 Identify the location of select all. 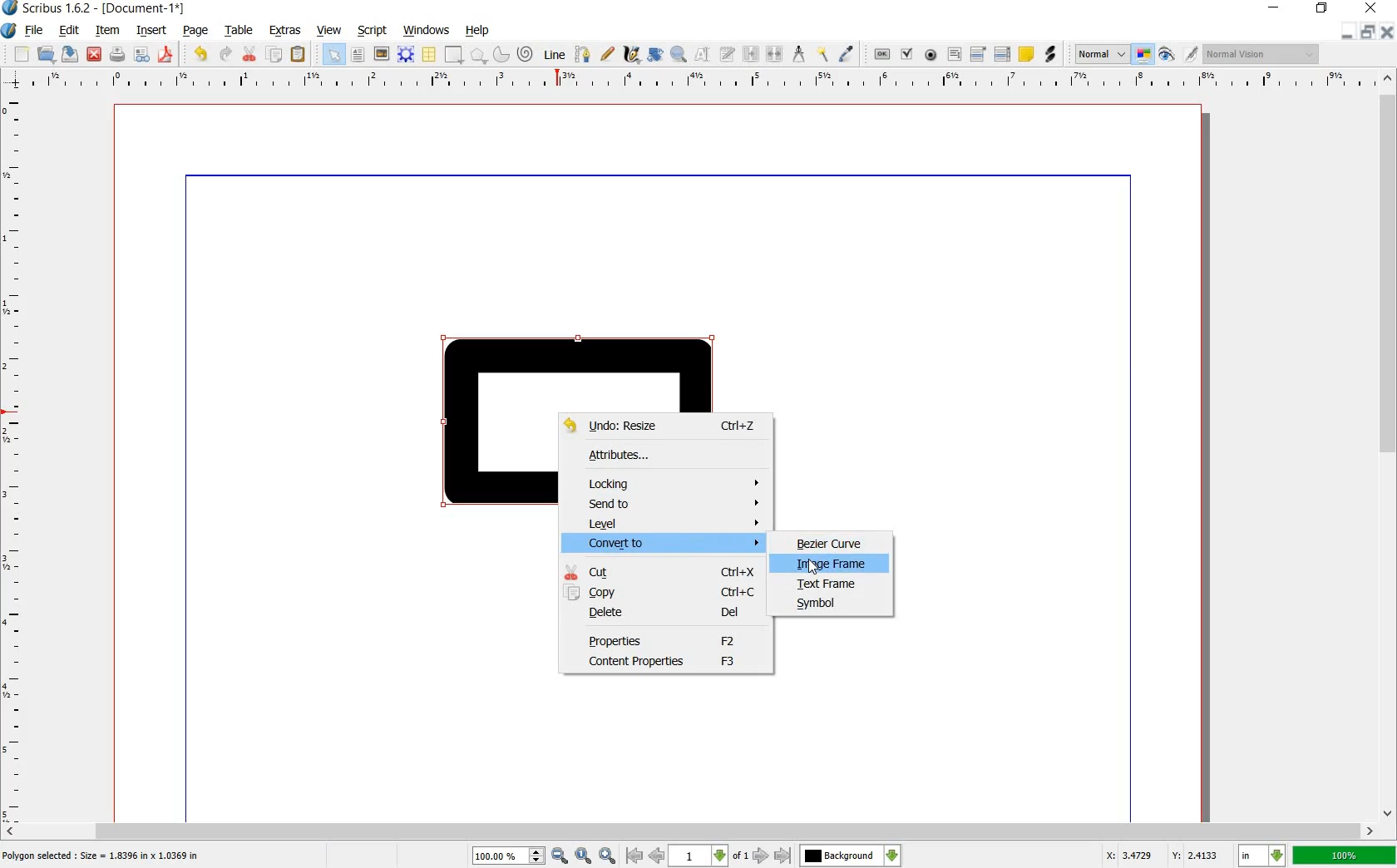
(333, 55).